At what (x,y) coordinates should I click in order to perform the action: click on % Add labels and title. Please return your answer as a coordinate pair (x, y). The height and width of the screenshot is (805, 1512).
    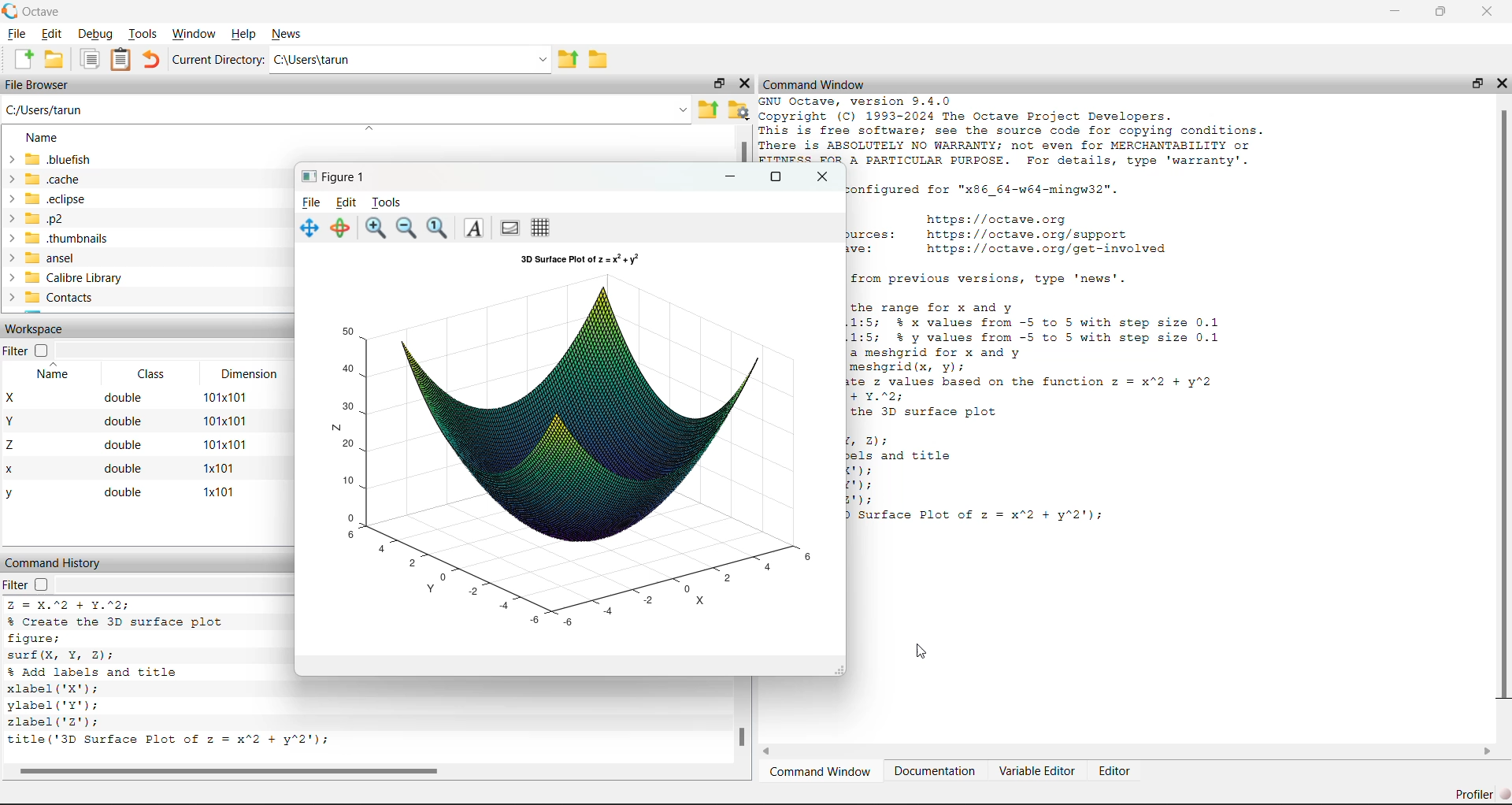
    Looking at the image, I should click on (96, 671).